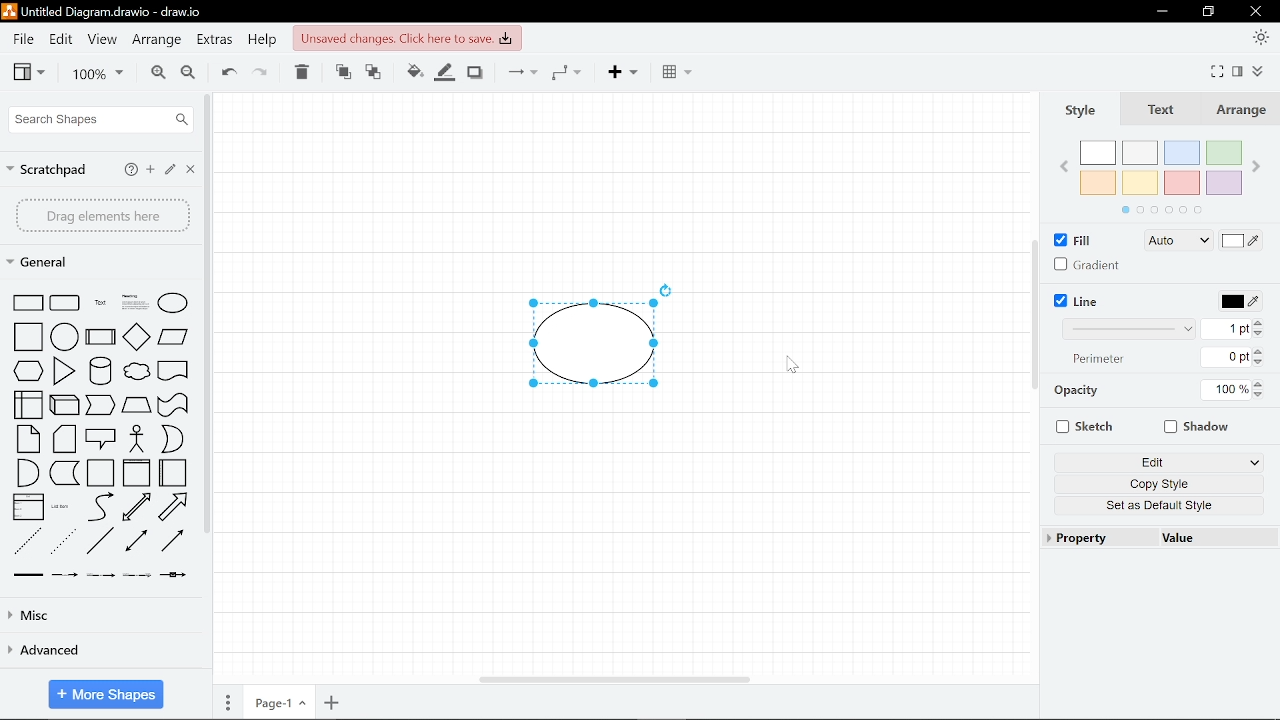 The height and width of the screenshot is (720, 1280). I want to click on Way points, so click(566, 71).